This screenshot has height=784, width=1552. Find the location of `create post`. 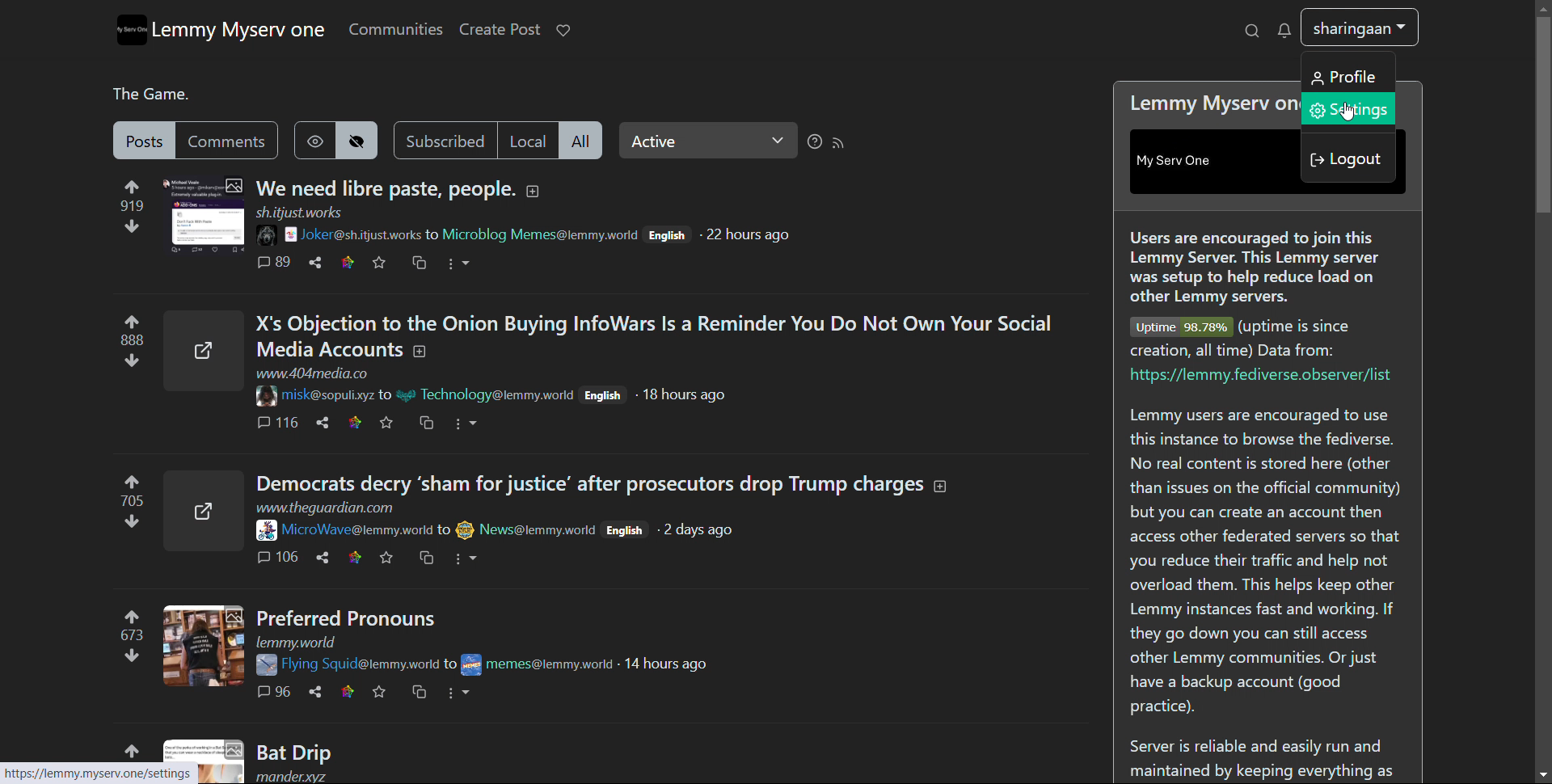

create post is located at coordinates (498, 30).